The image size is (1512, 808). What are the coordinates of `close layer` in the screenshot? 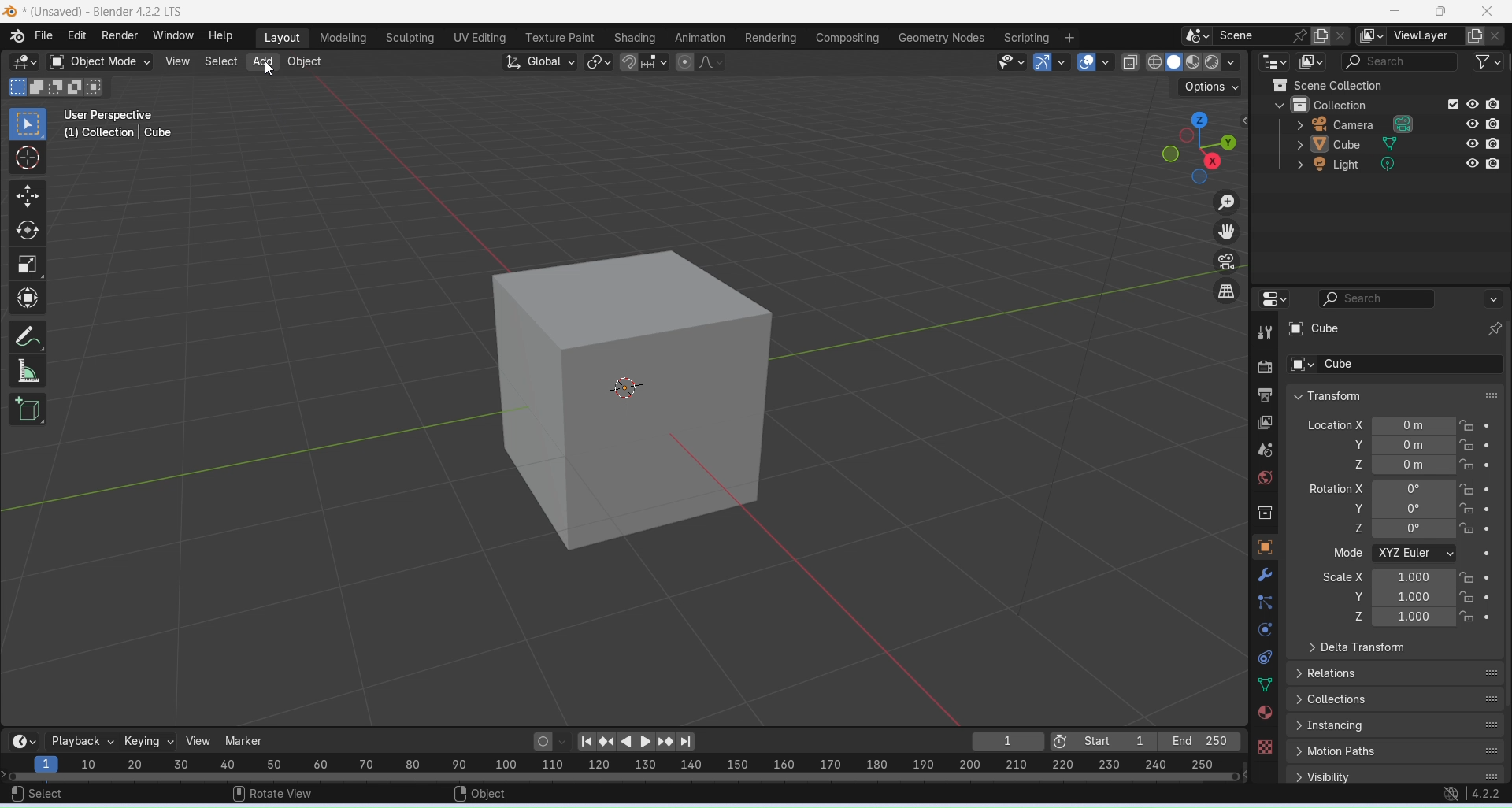 It's located at (1498, 35).